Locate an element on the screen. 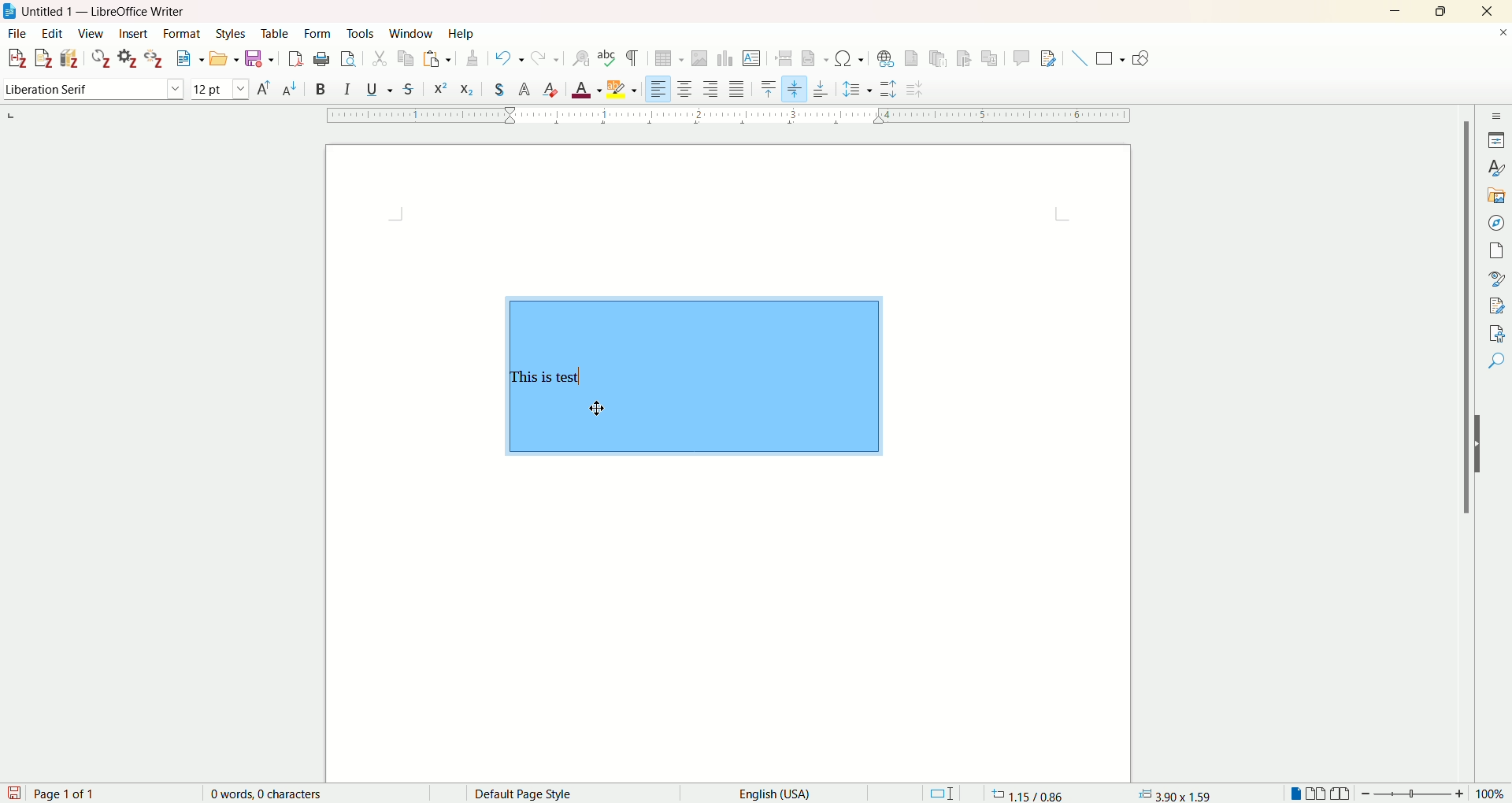 This screenshot has height=803, width=1512. insert comment is located at coordinates (1020, 58).